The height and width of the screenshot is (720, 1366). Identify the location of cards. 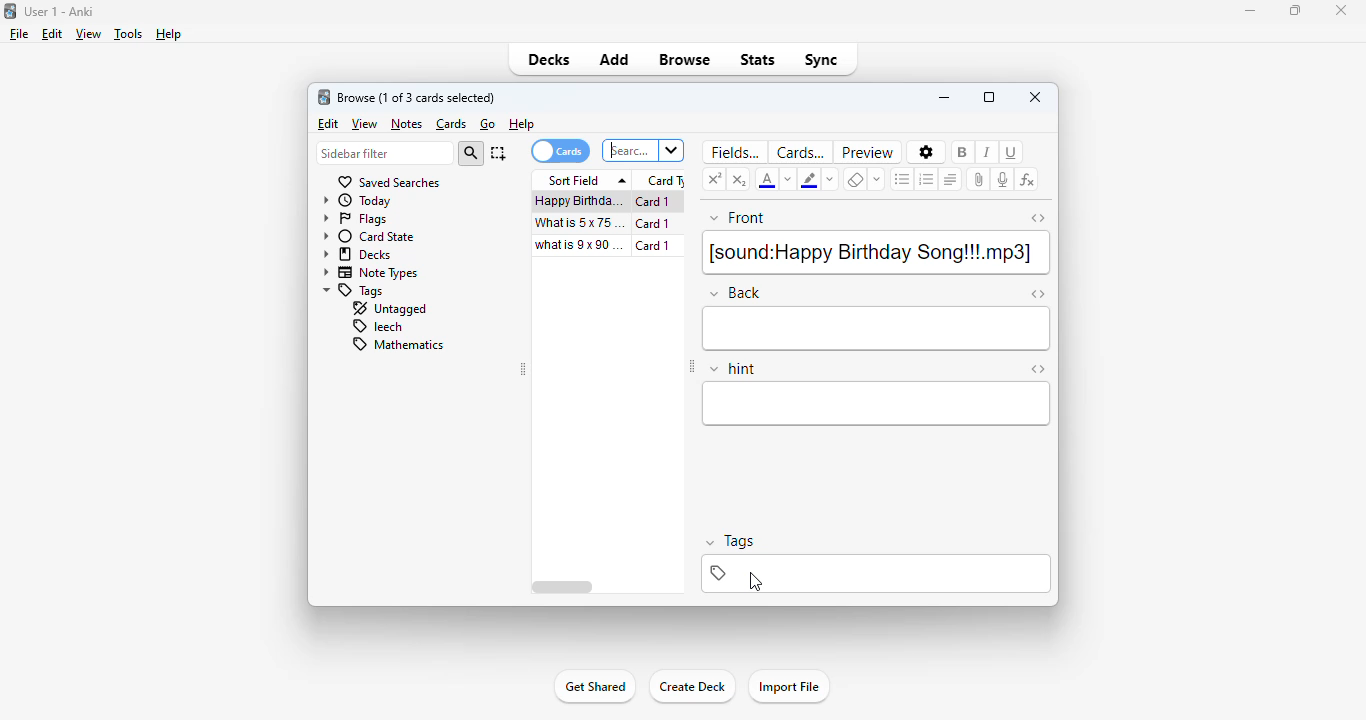
(800, 152).